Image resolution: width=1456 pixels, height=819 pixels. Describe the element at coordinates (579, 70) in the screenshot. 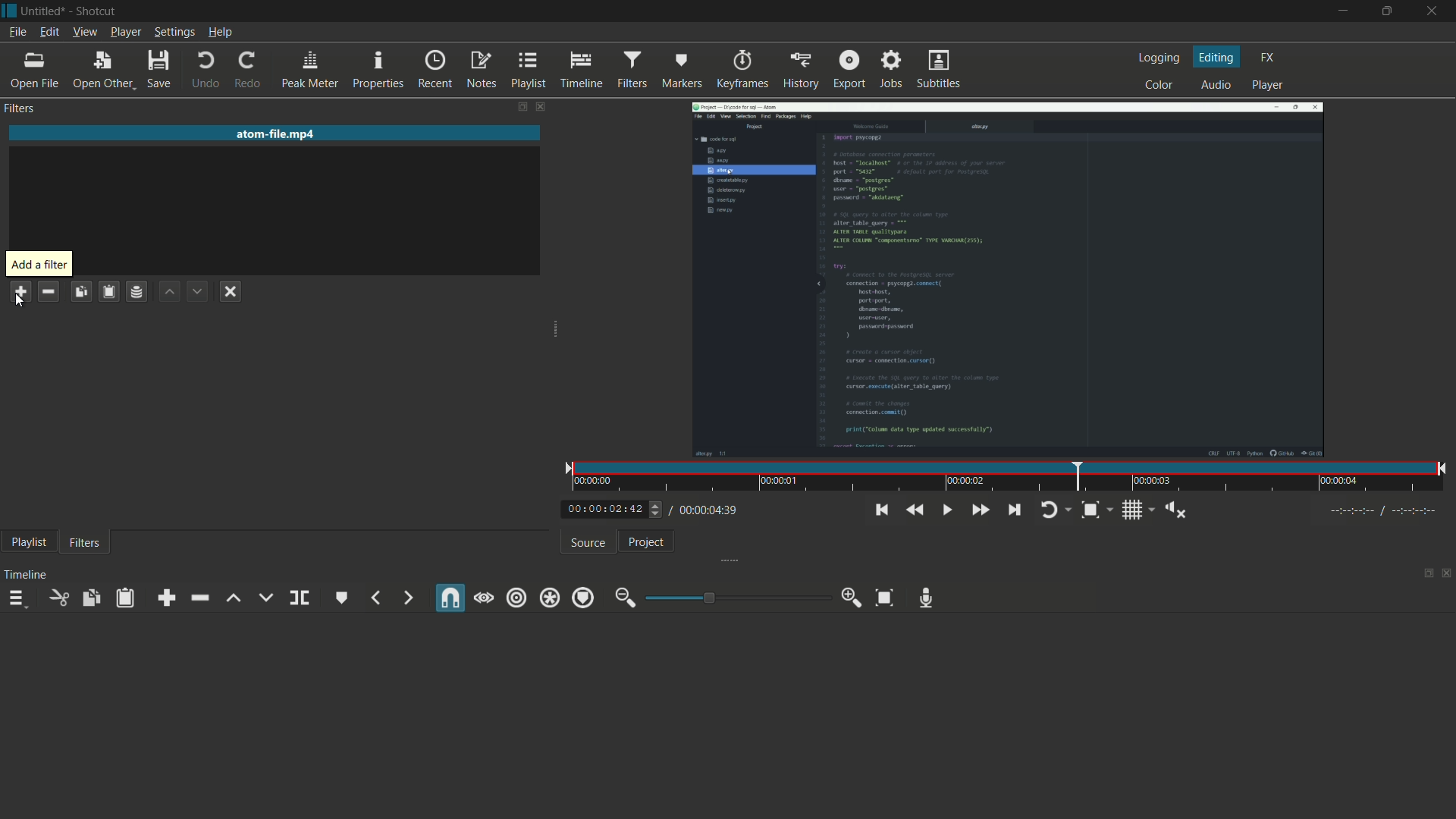

I see `timeline` at that location.